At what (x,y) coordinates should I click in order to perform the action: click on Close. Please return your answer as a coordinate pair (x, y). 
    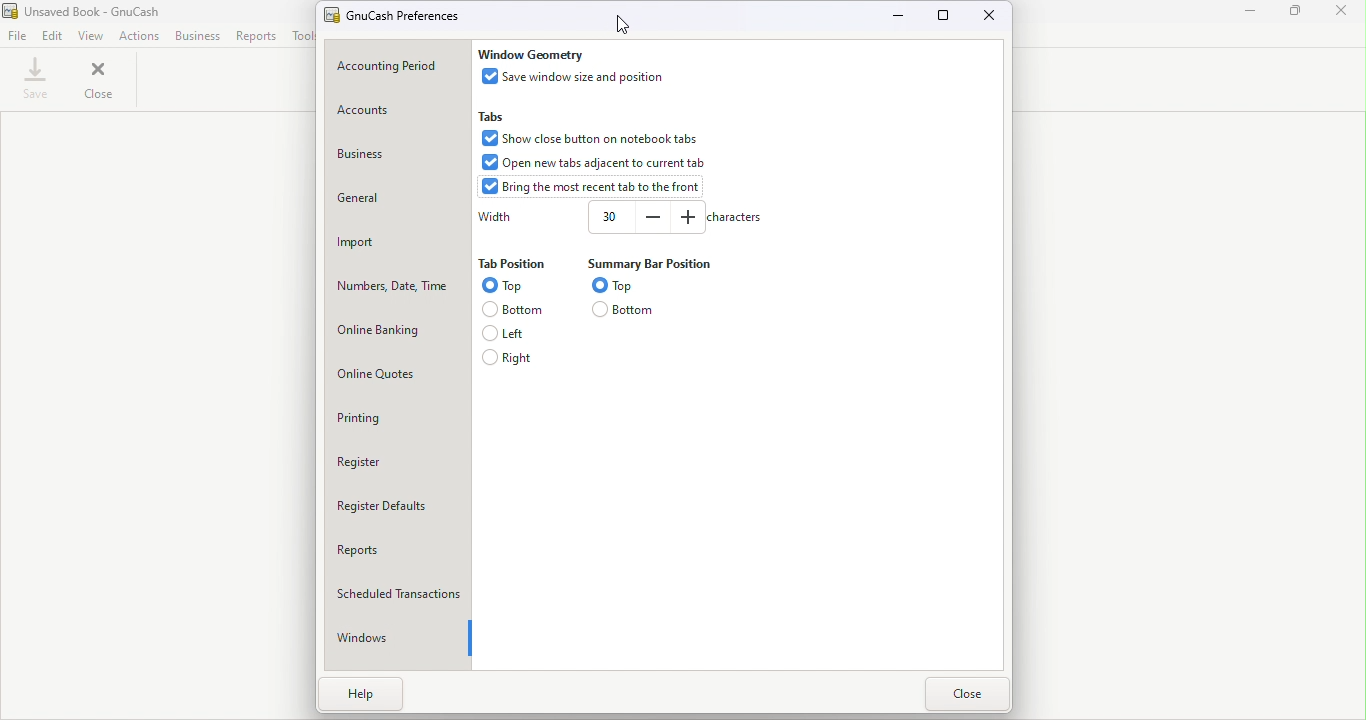
    Looking at the image, I should click on (1341, 12).